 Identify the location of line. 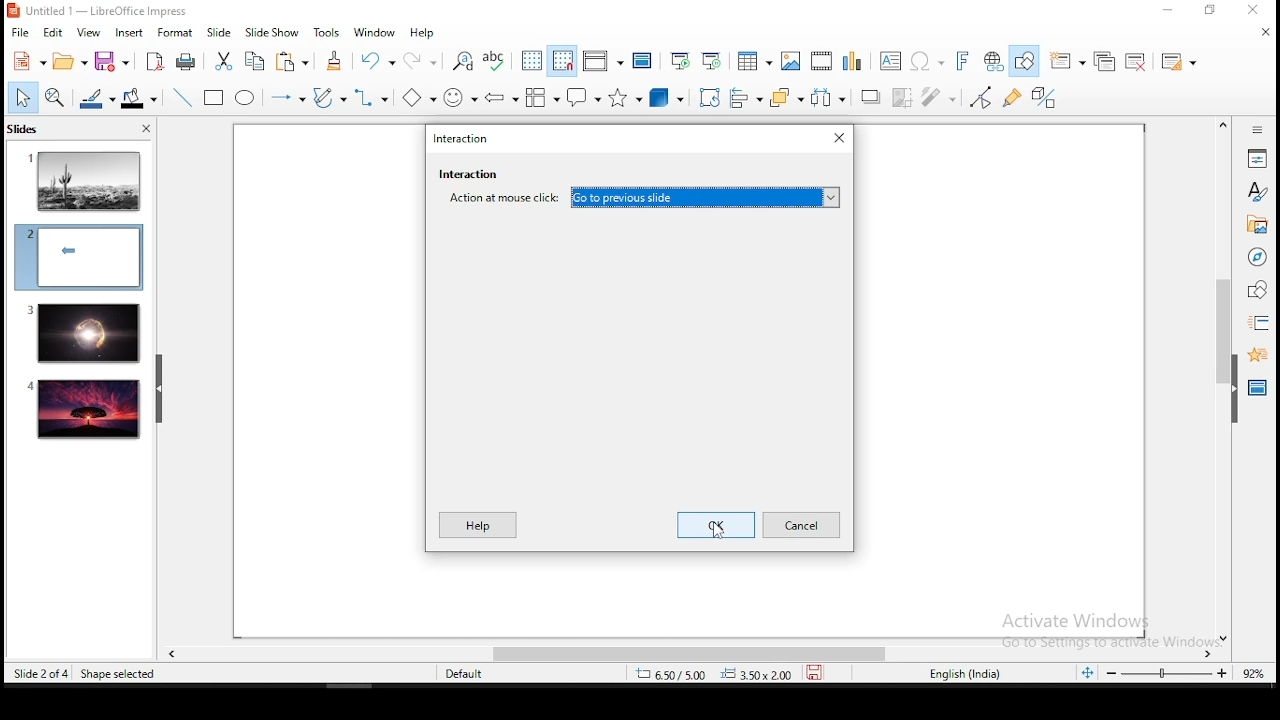
(180, 98).